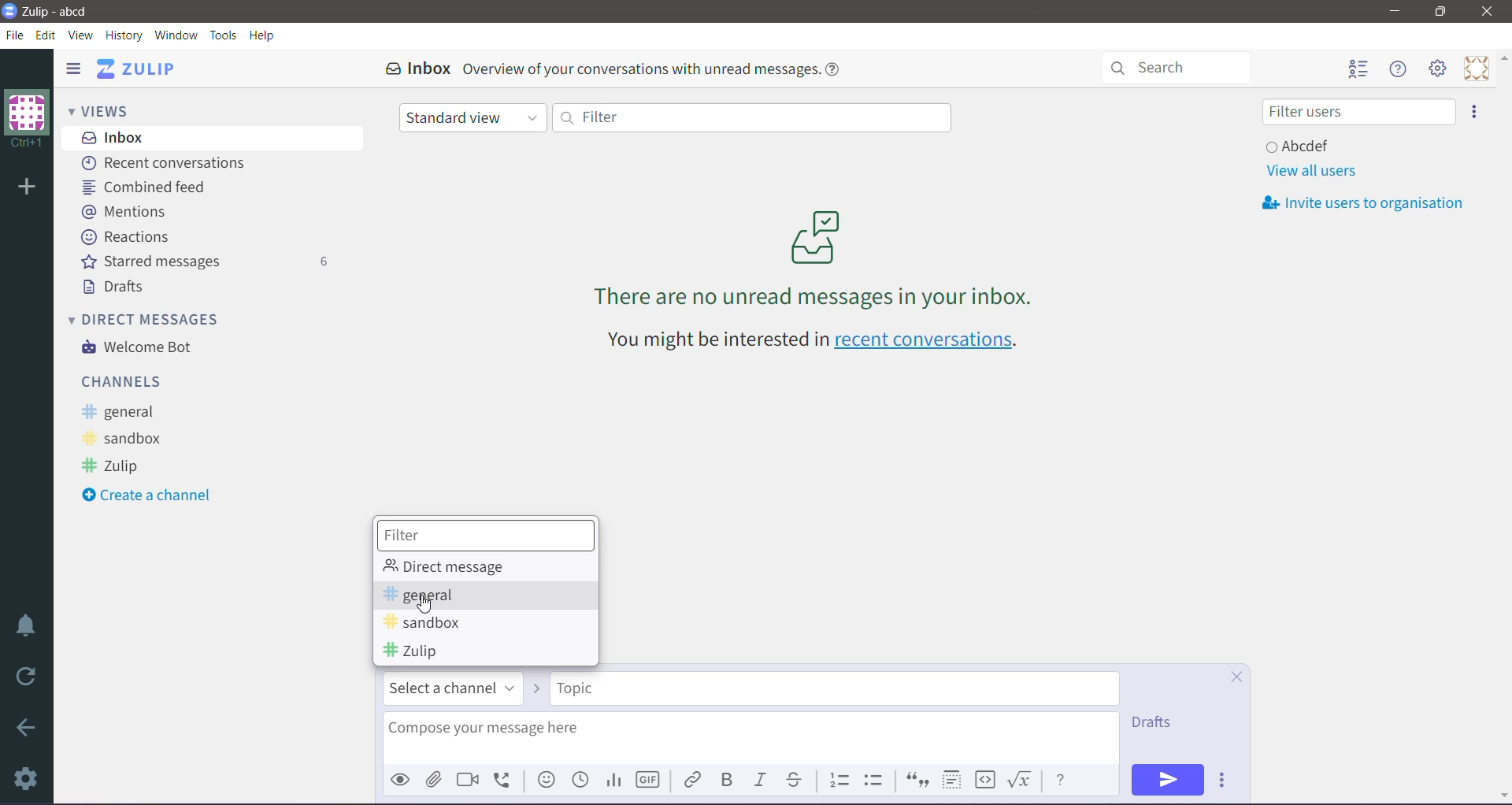  What do you see at coordinates (1061, 778) in the screenshot?
I see `Message Formatting` at bounding box center [1061, 778].